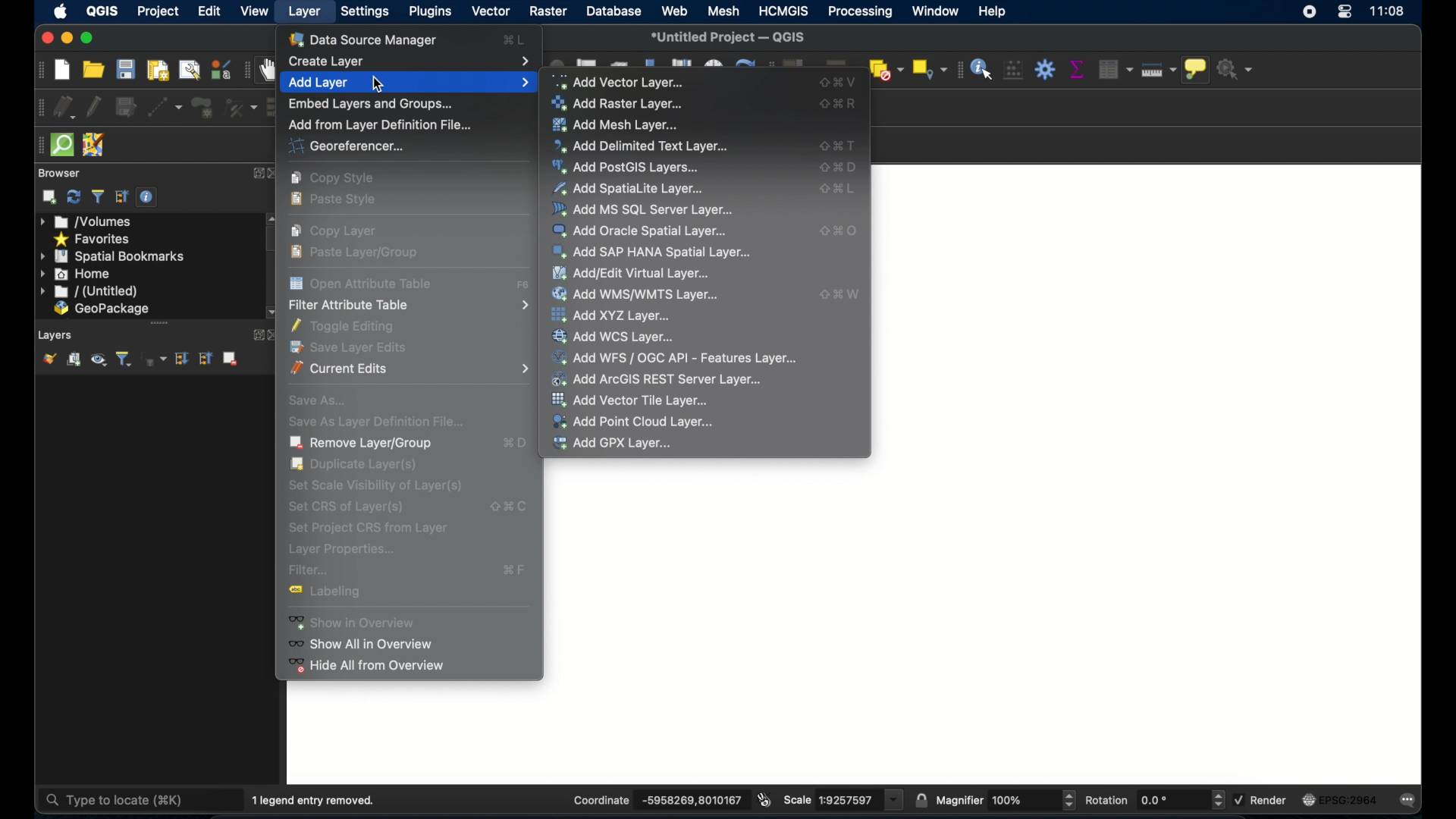 This screenshot has height=819, width=1456. I want to click on remove layer shortcut, so click(516, 445).